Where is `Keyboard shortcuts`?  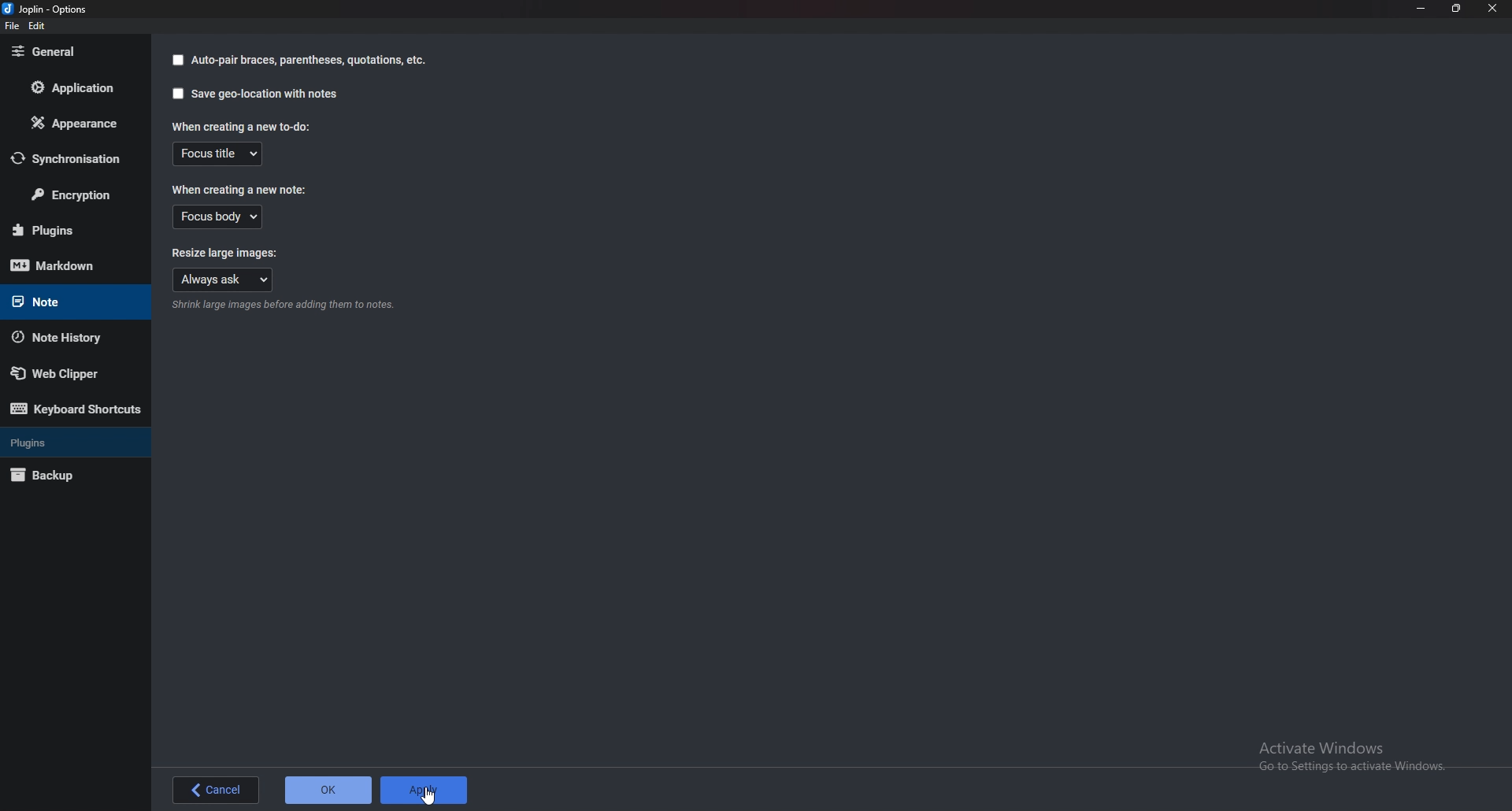
Keyboard shortcuts is located at coordinates (76, 412).